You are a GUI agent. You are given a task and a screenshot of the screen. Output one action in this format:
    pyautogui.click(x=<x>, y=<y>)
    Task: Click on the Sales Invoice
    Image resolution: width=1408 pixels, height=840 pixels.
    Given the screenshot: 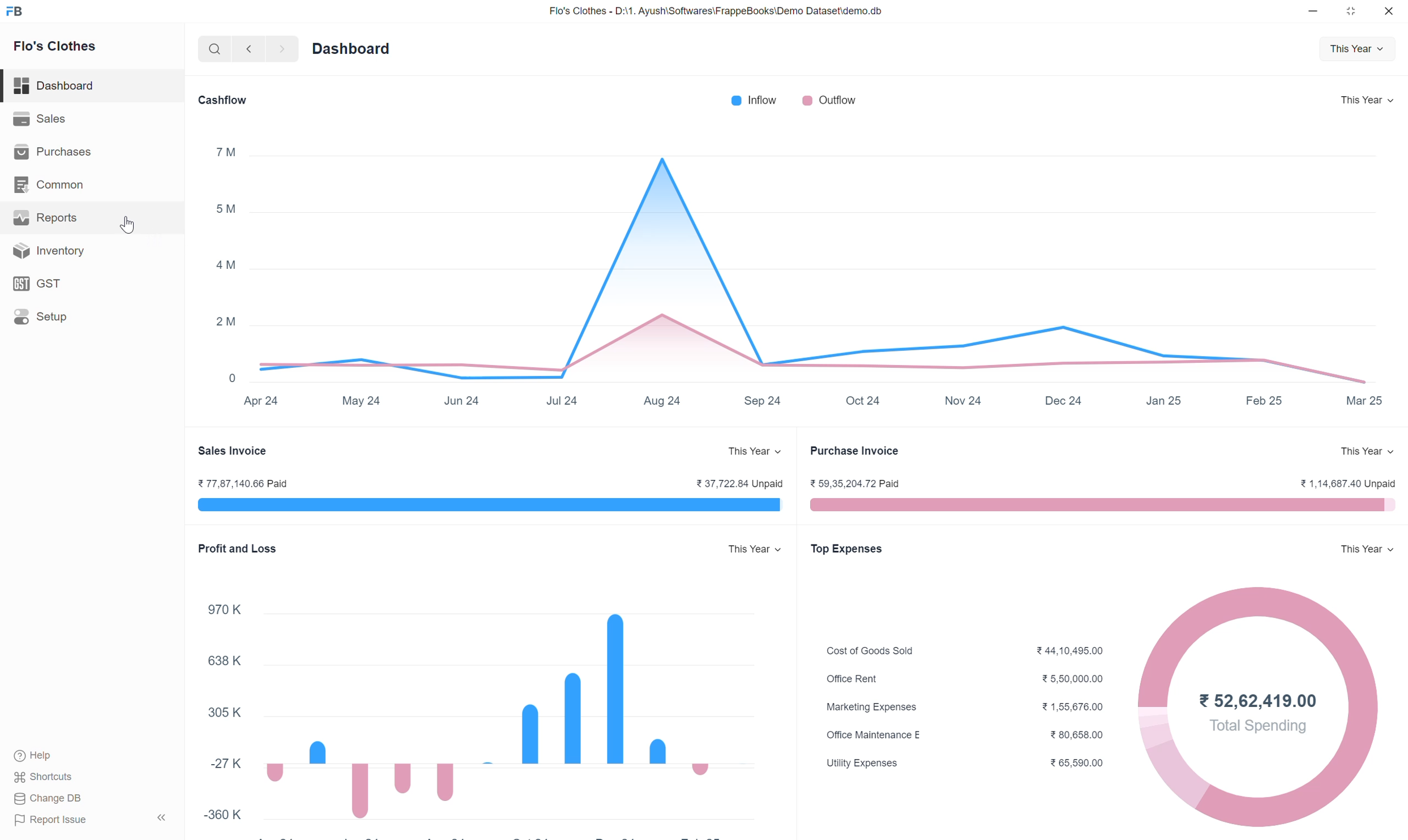 What is the action you would take?
    pyautogui.click(x=229, y=451)
    